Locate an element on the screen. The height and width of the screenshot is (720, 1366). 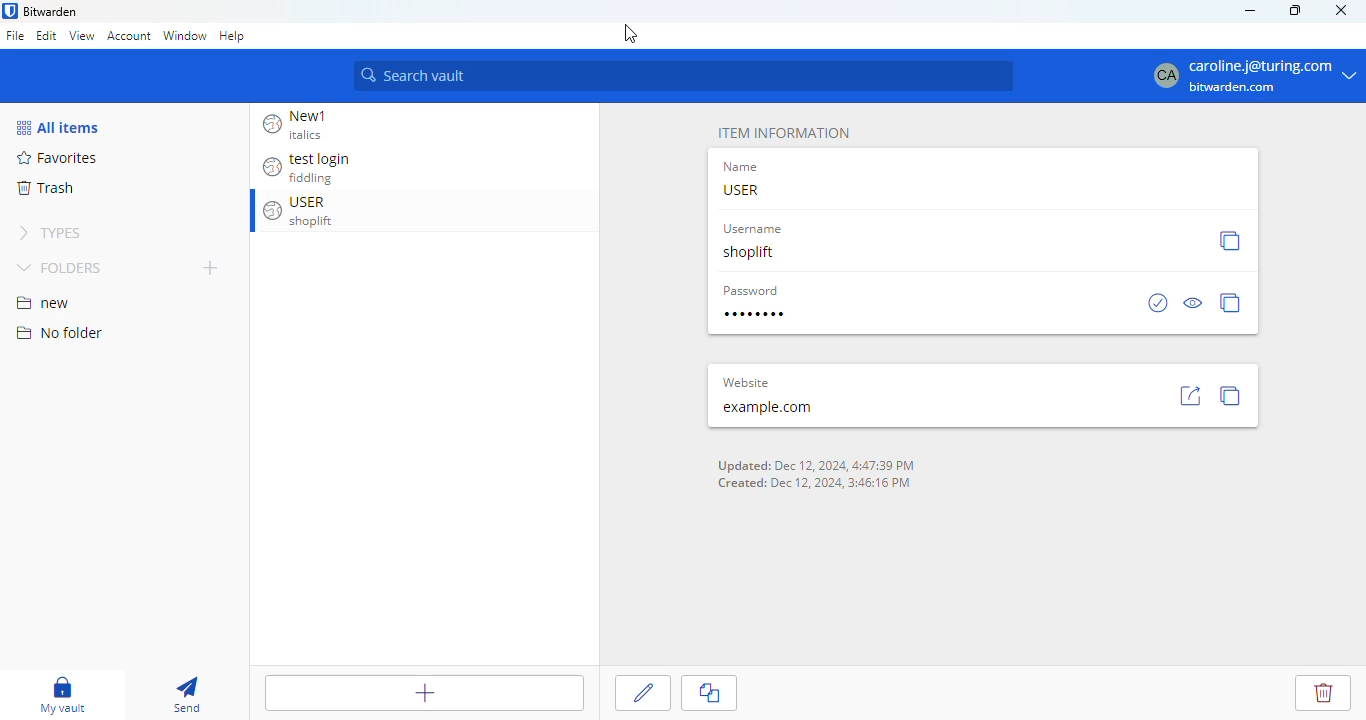
edit is located at coordinates (46, 36).